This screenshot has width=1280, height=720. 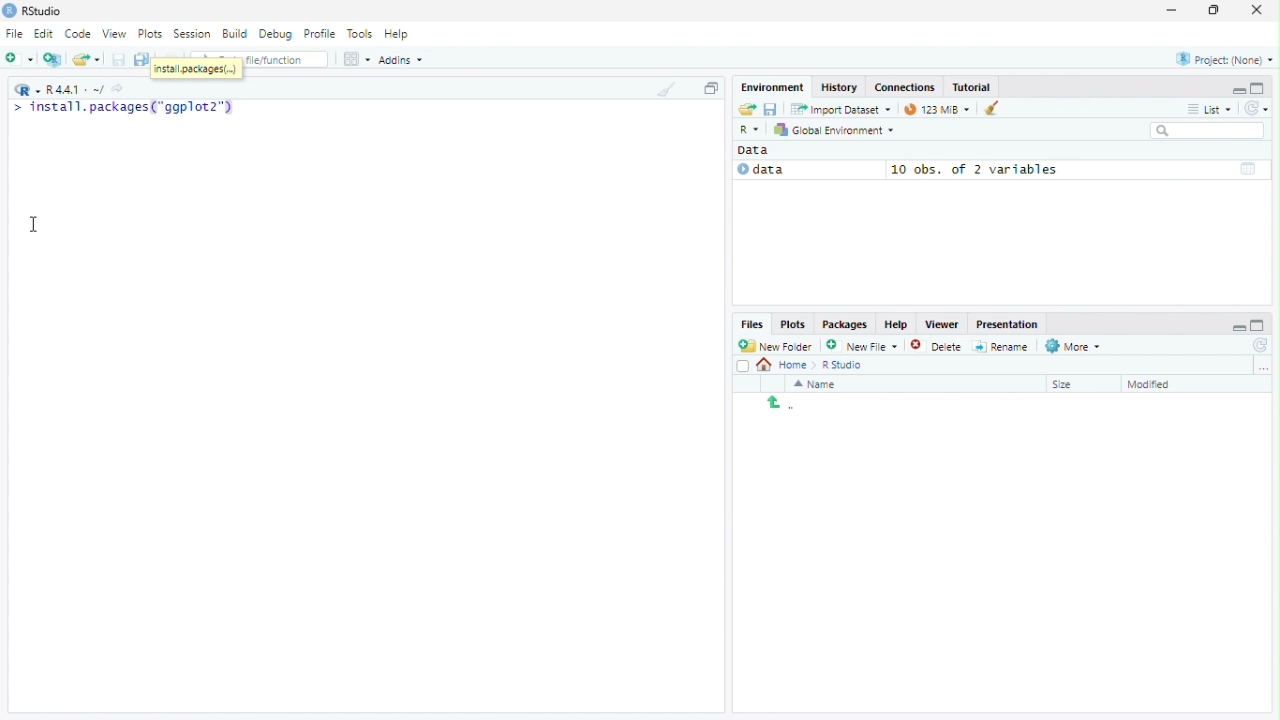 What do you see at coordinates (1260, 88) in the screenshot?
I see `maximize` at bounding box center [1260, 88].